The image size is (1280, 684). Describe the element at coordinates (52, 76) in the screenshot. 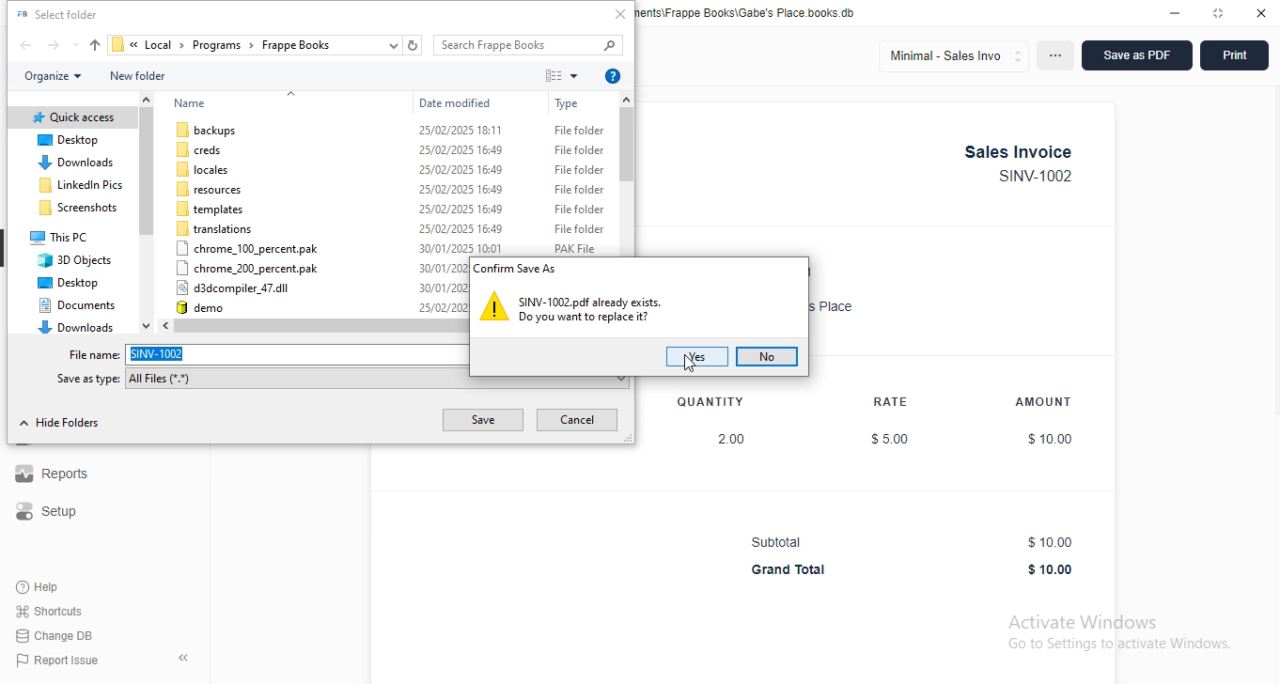

I see `organize` at that location.